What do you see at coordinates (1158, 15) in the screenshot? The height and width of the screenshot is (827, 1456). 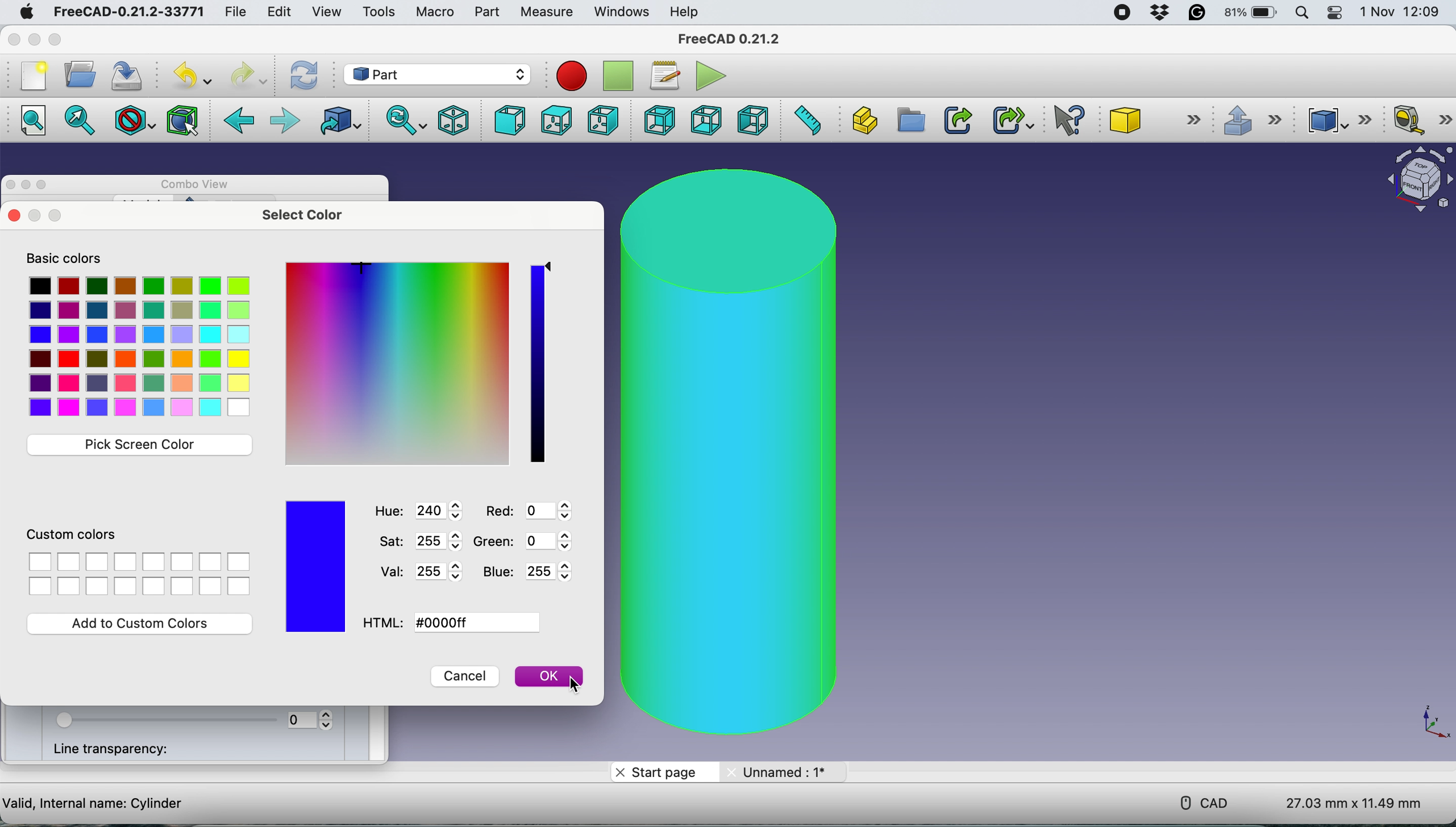 I see `dropbox` at bounding box center [1158, 15].